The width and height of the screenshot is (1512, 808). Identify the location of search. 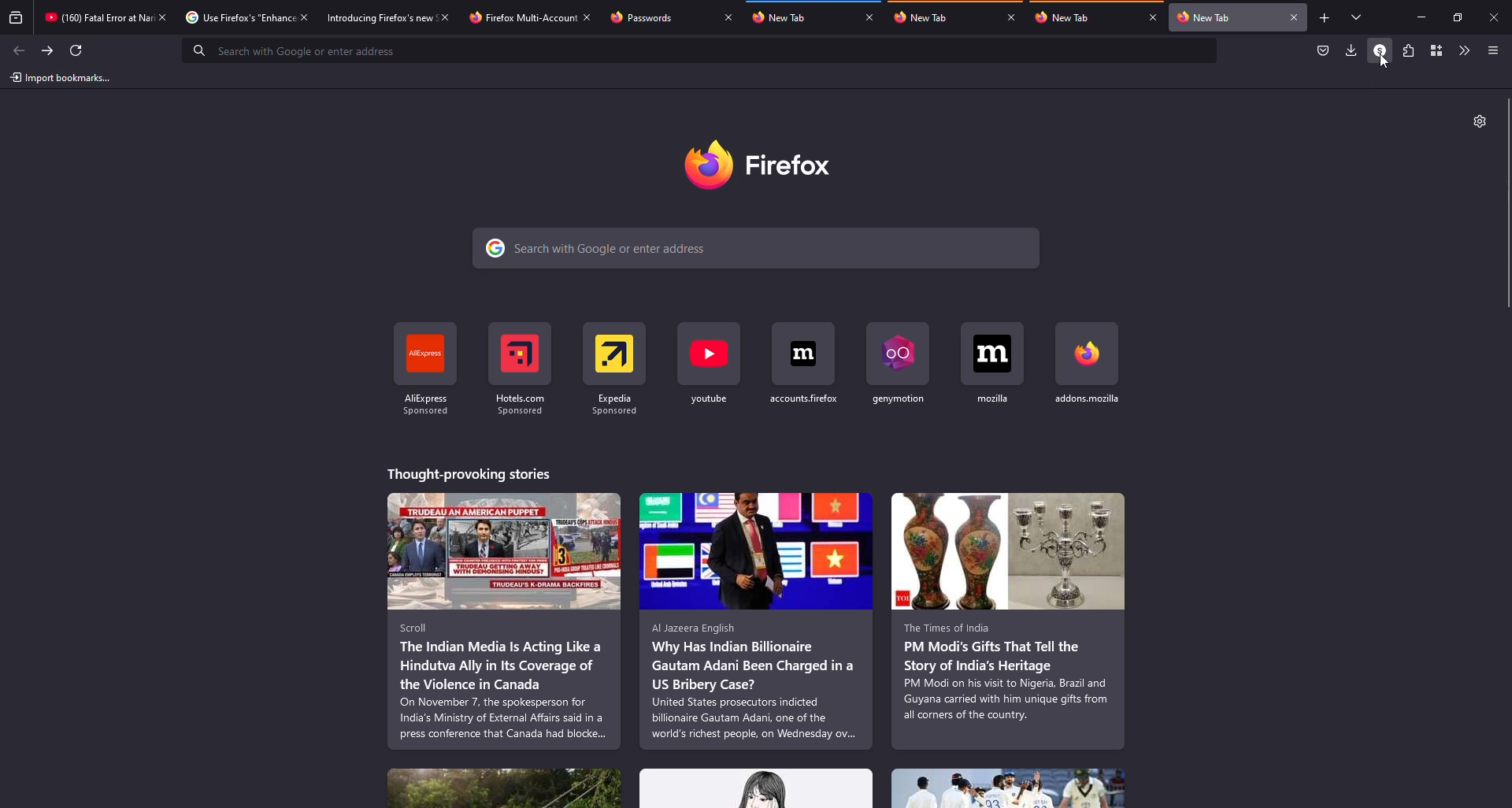
(701, 50).